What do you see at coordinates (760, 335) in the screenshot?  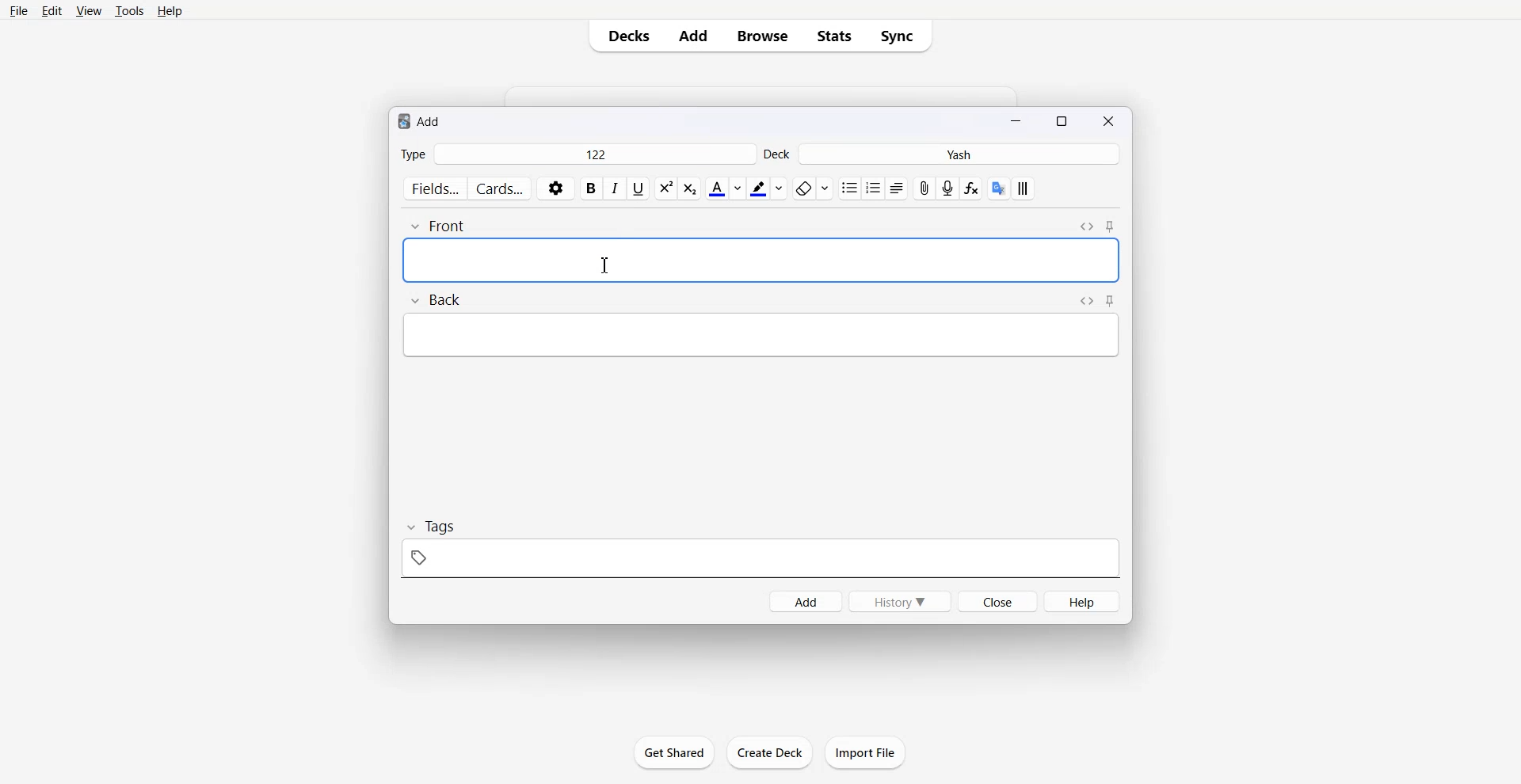 I see `typing space` at bounding box center [760, 335].